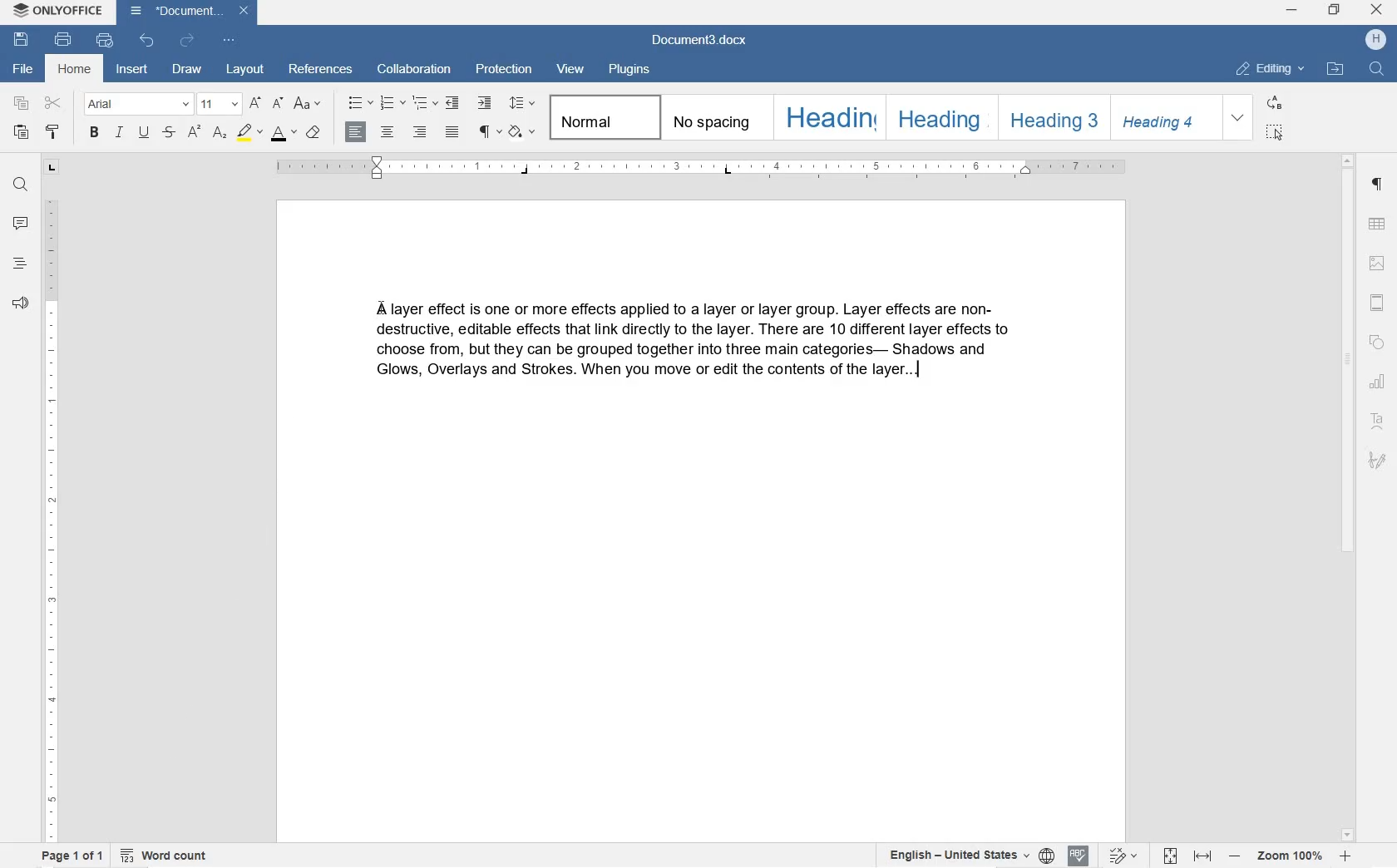  Describe the element at coordinates (452, 104) in the screenshot. I see `DECREASE INDENT` at that location.